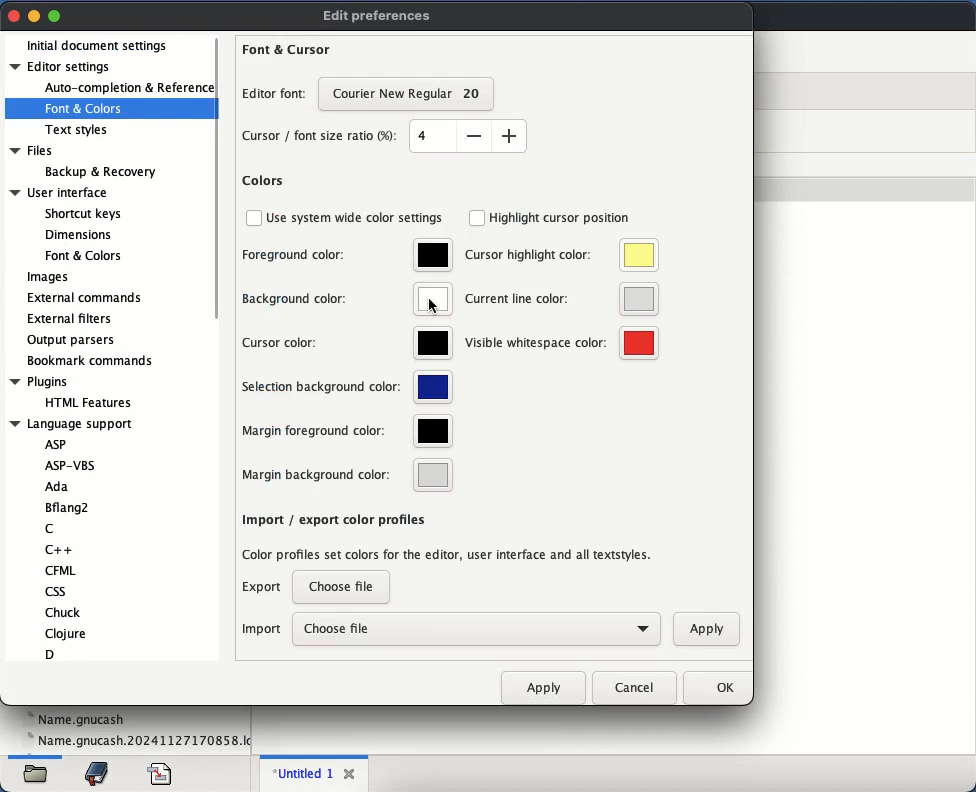  I want to click on Bflang2, so click(68, 506).